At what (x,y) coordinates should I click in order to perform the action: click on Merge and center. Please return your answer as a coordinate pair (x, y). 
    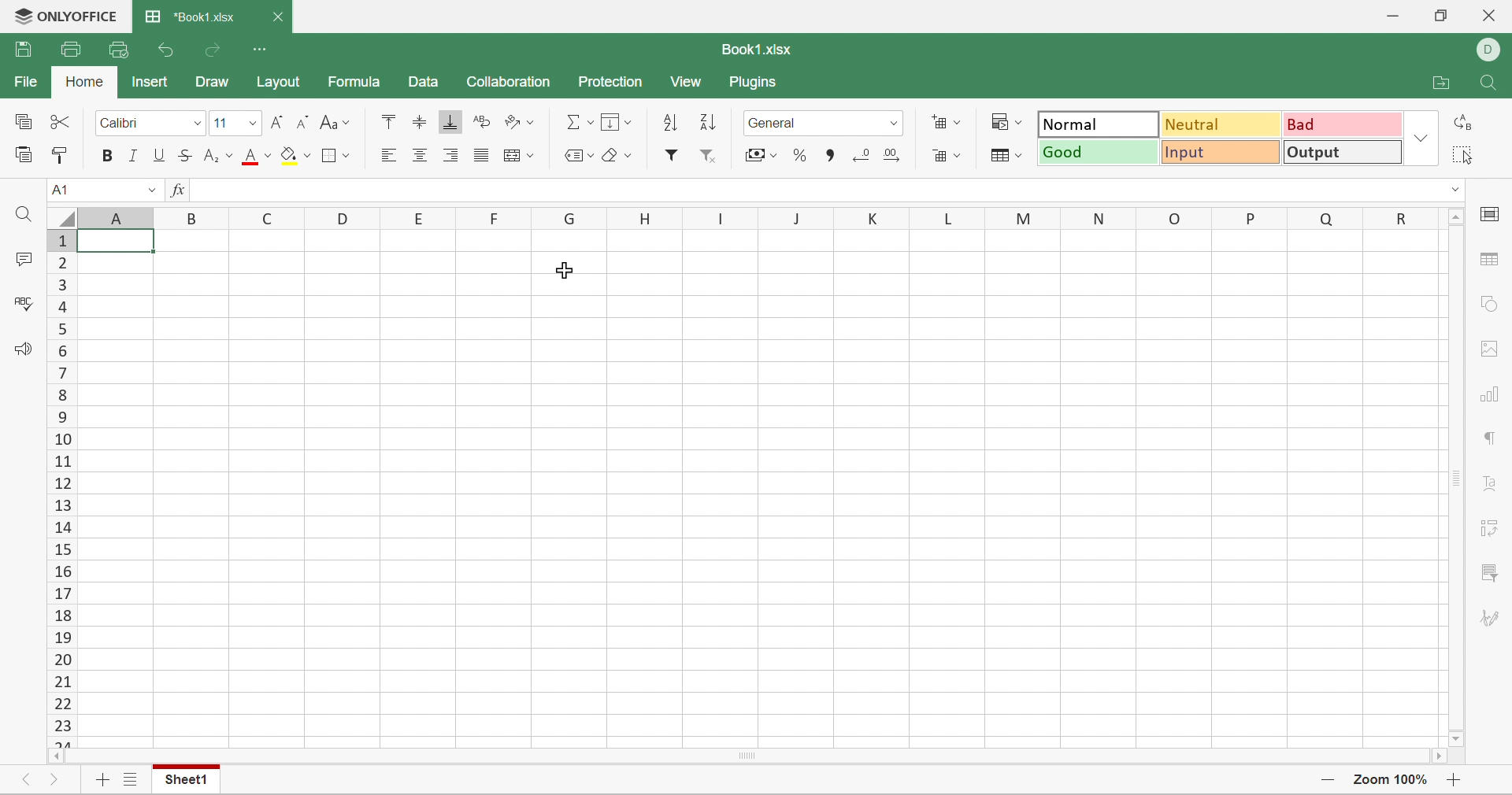
    Looking at the image, I should click on (521, 156).